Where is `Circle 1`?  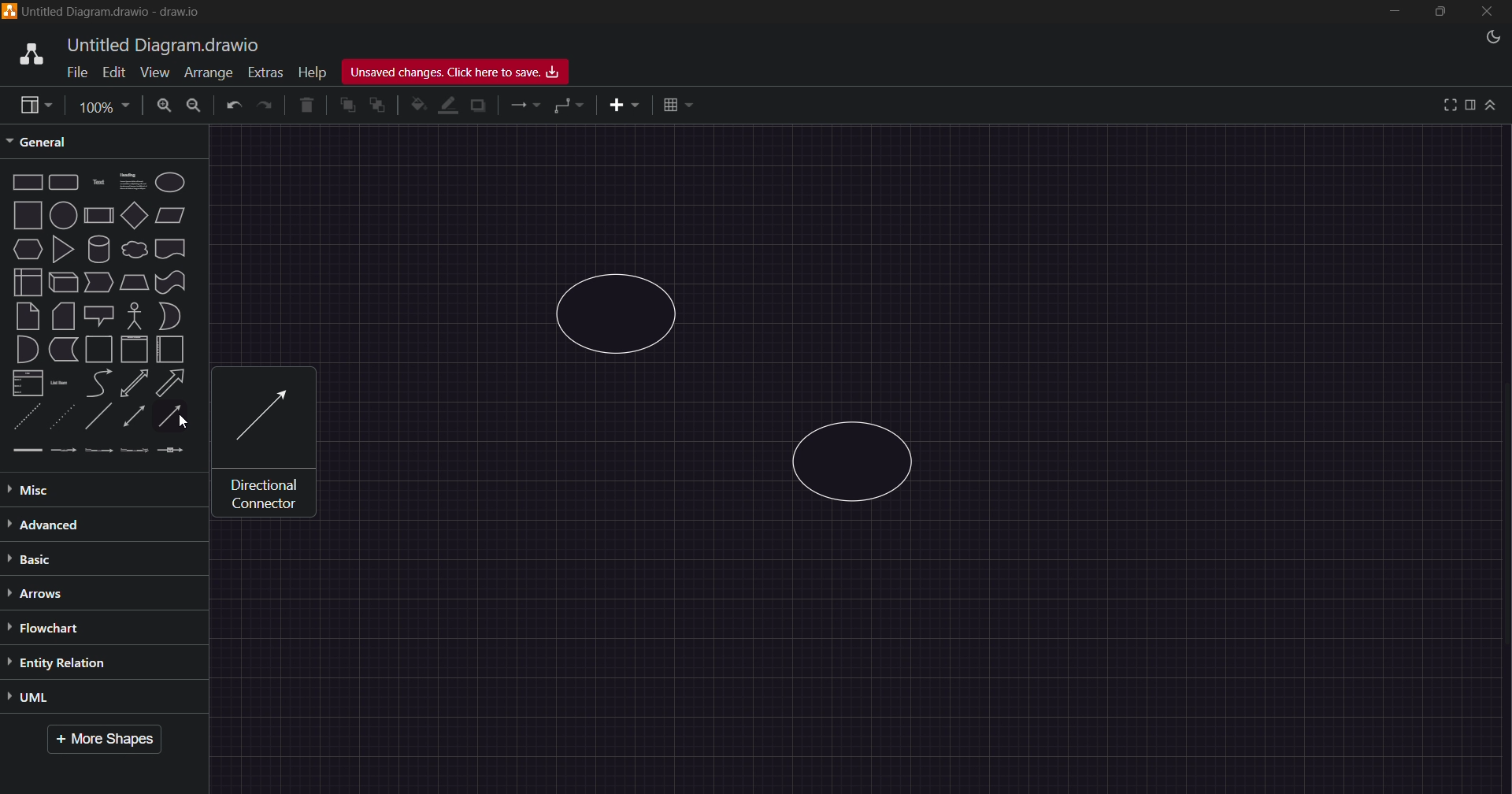
Circle 1 is located at coordinates (622, 313).